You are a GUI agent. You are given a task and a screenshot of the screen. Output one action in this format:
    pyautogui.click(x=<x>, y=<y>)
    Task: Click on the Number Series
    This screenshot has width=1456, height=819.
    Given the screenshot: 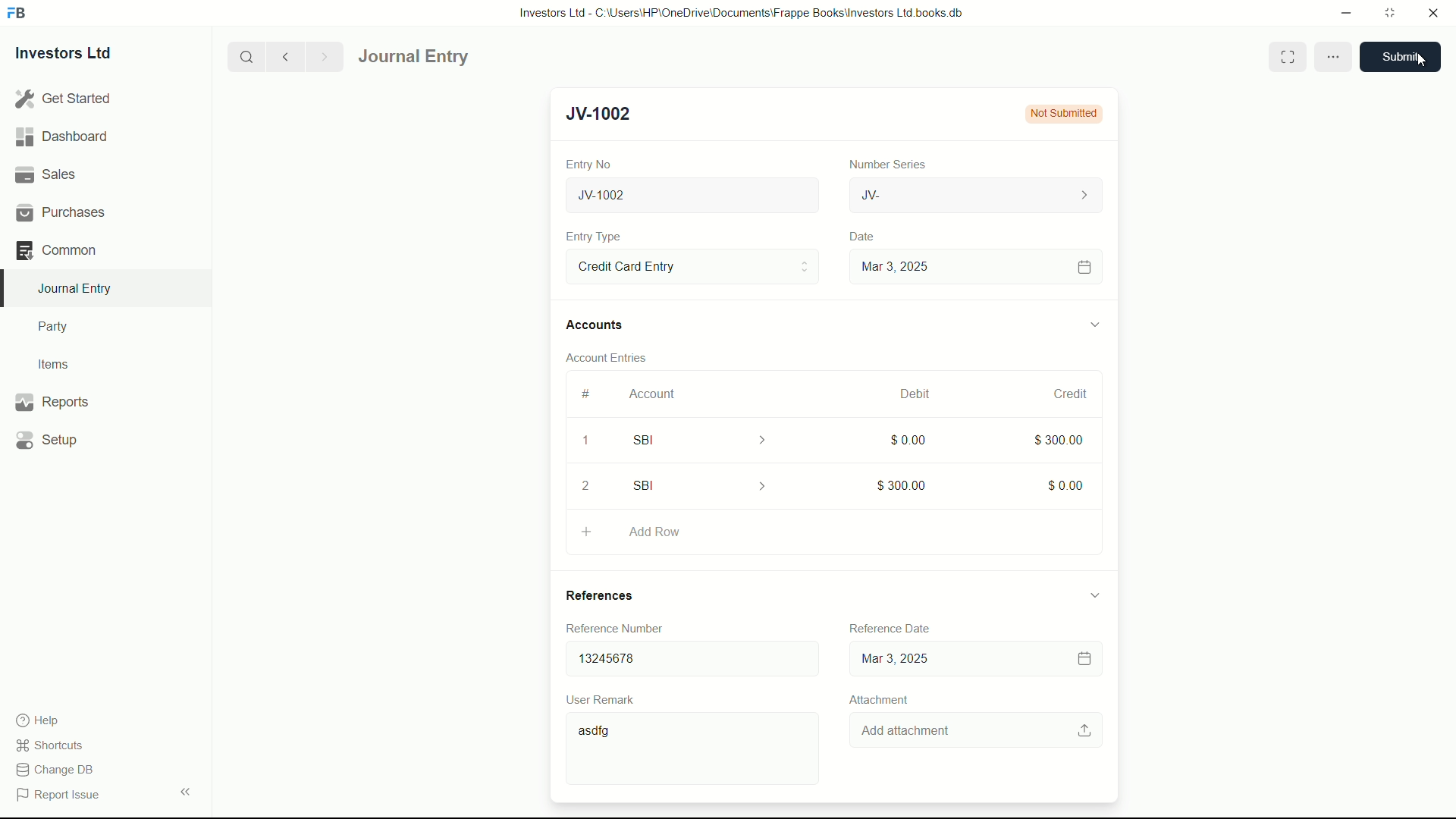 What is the action you would take?
    pyautogui.click(x=881, y=163)
    